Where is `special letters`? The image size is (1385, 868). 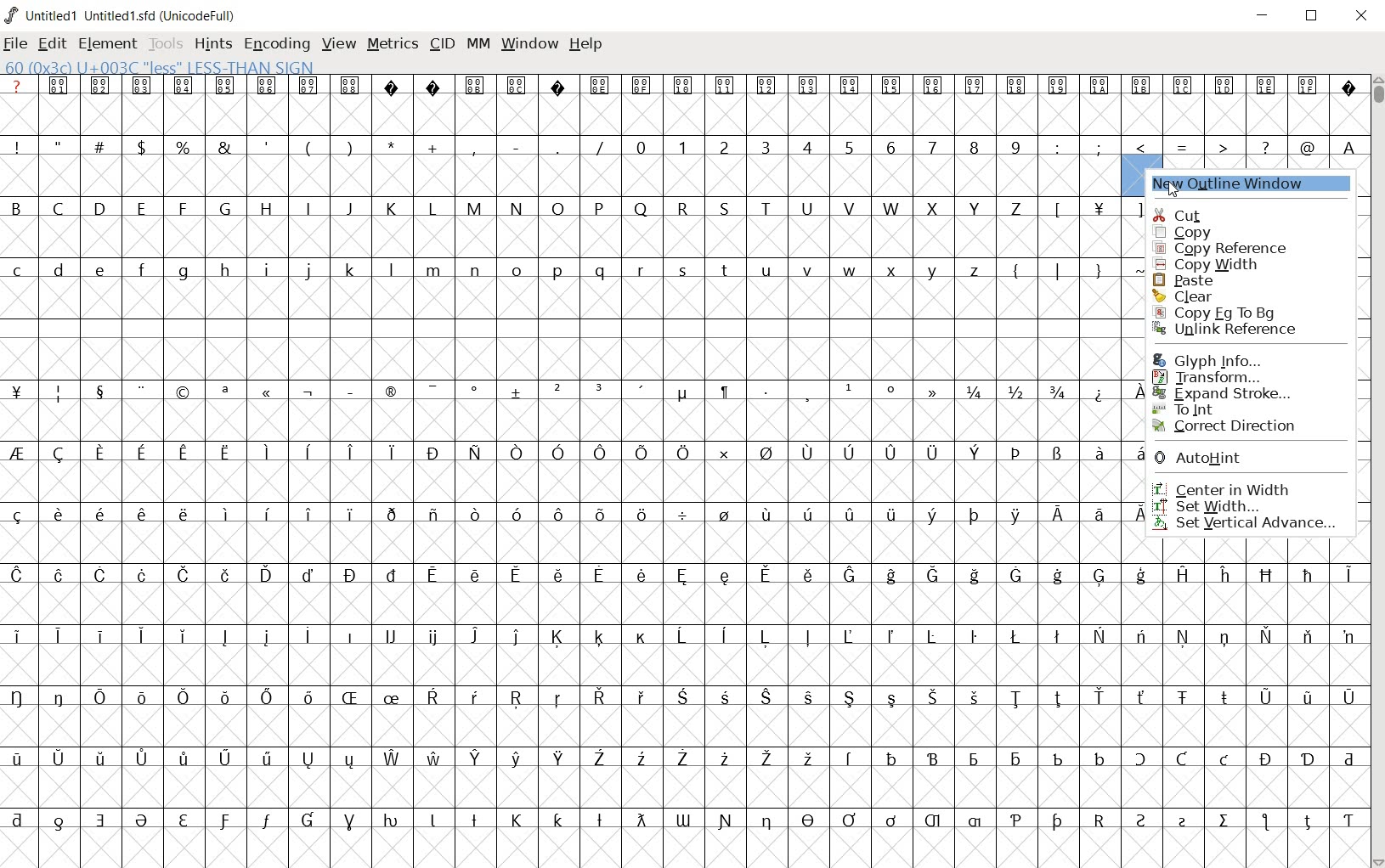 special letters is located at coordinates (681, 636).